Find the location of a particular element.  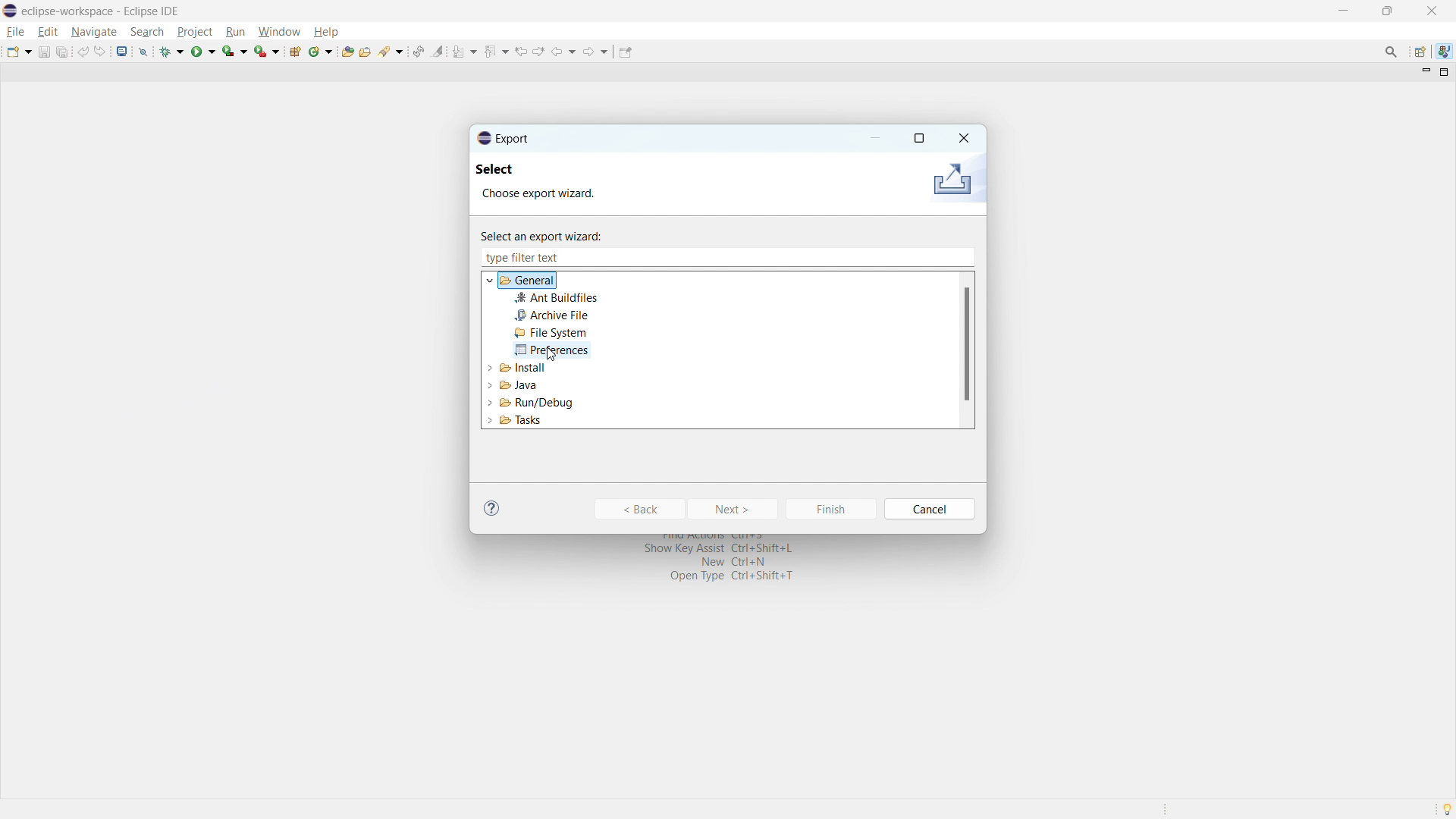

open type is located at coordinates (347, 51).